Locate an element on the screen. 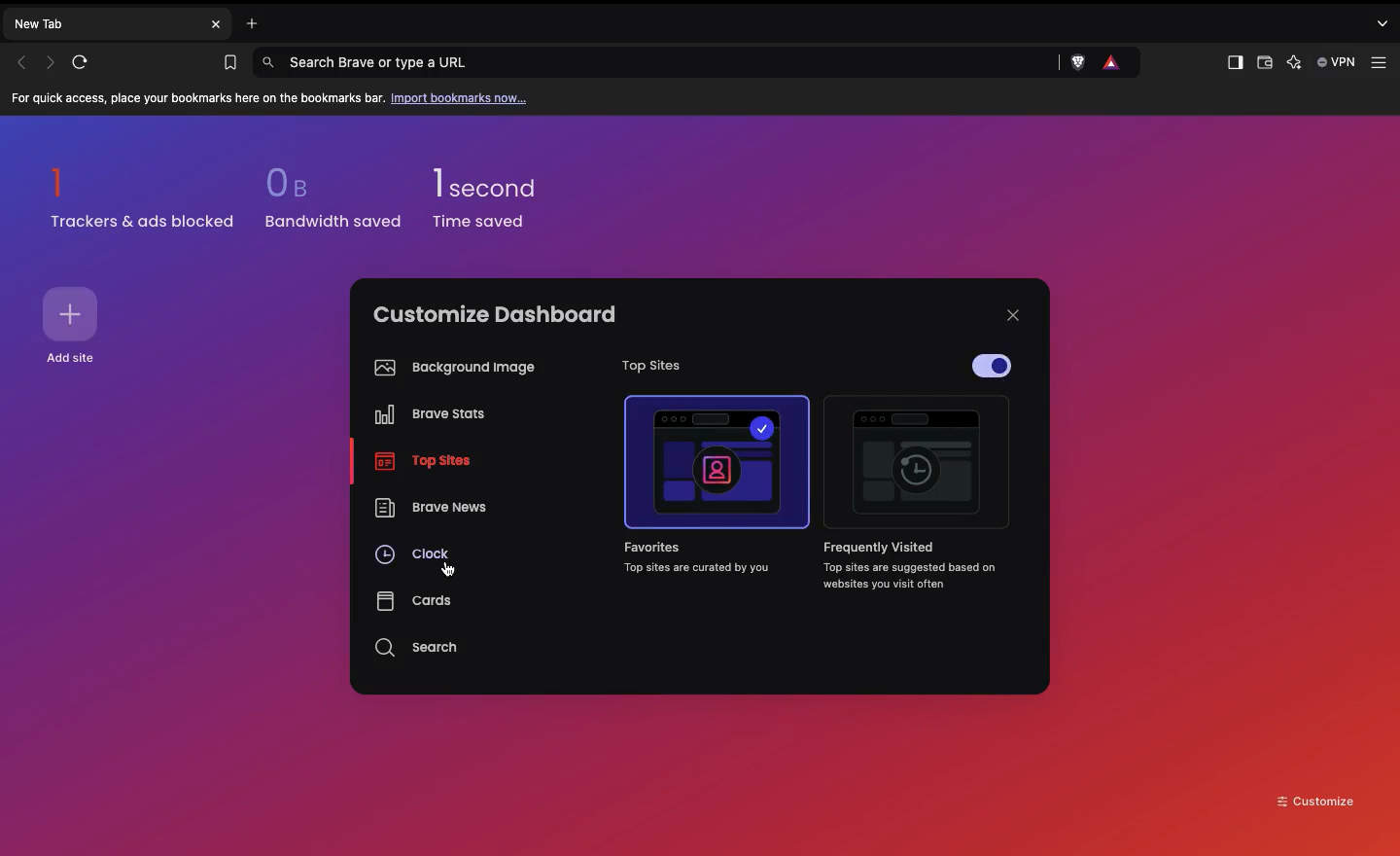  On brave stats is located at coordinates (425, 418).